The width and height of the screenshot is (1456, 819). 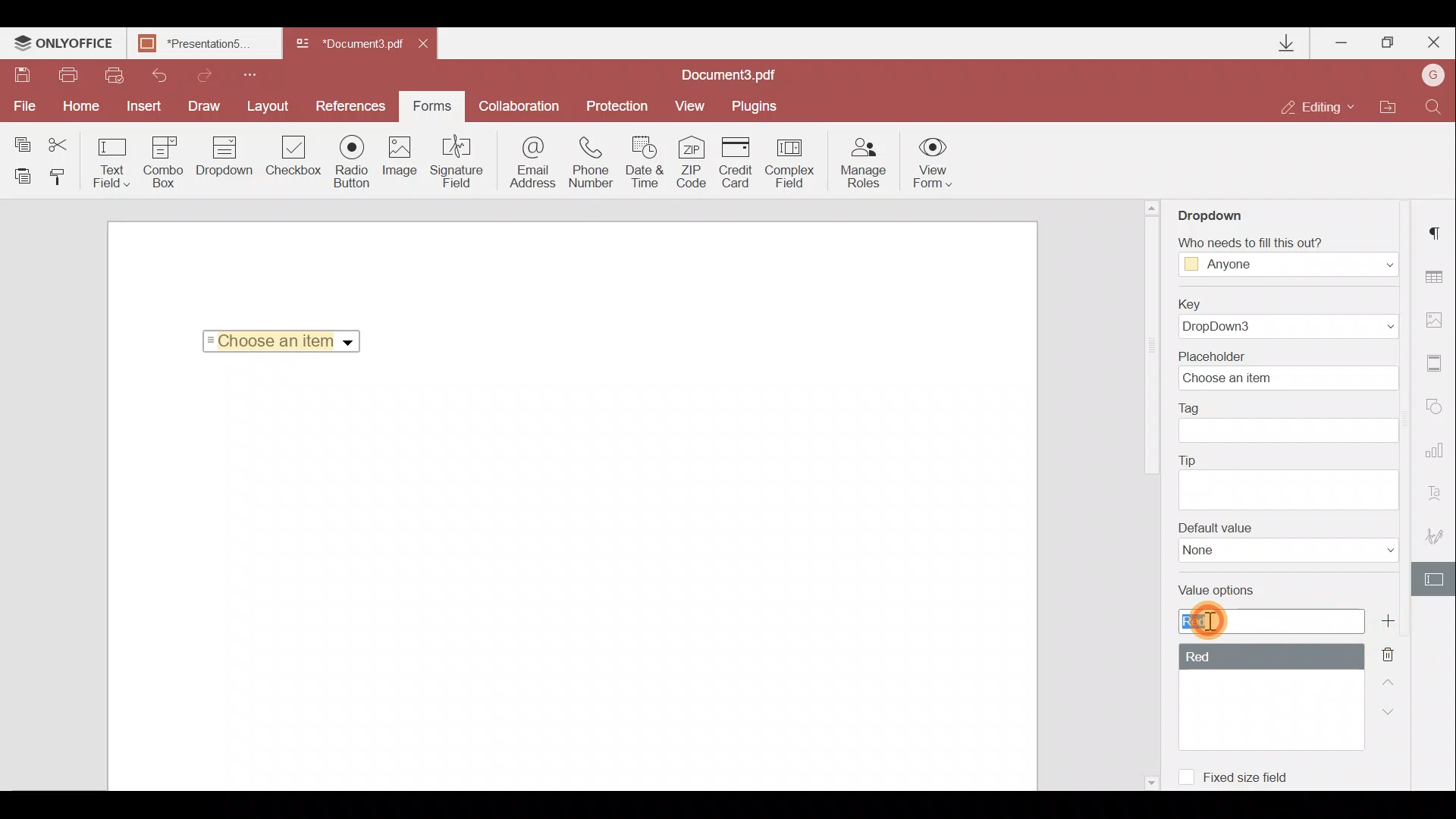 I want to click on Cursor, so click(x=1210, y=620).